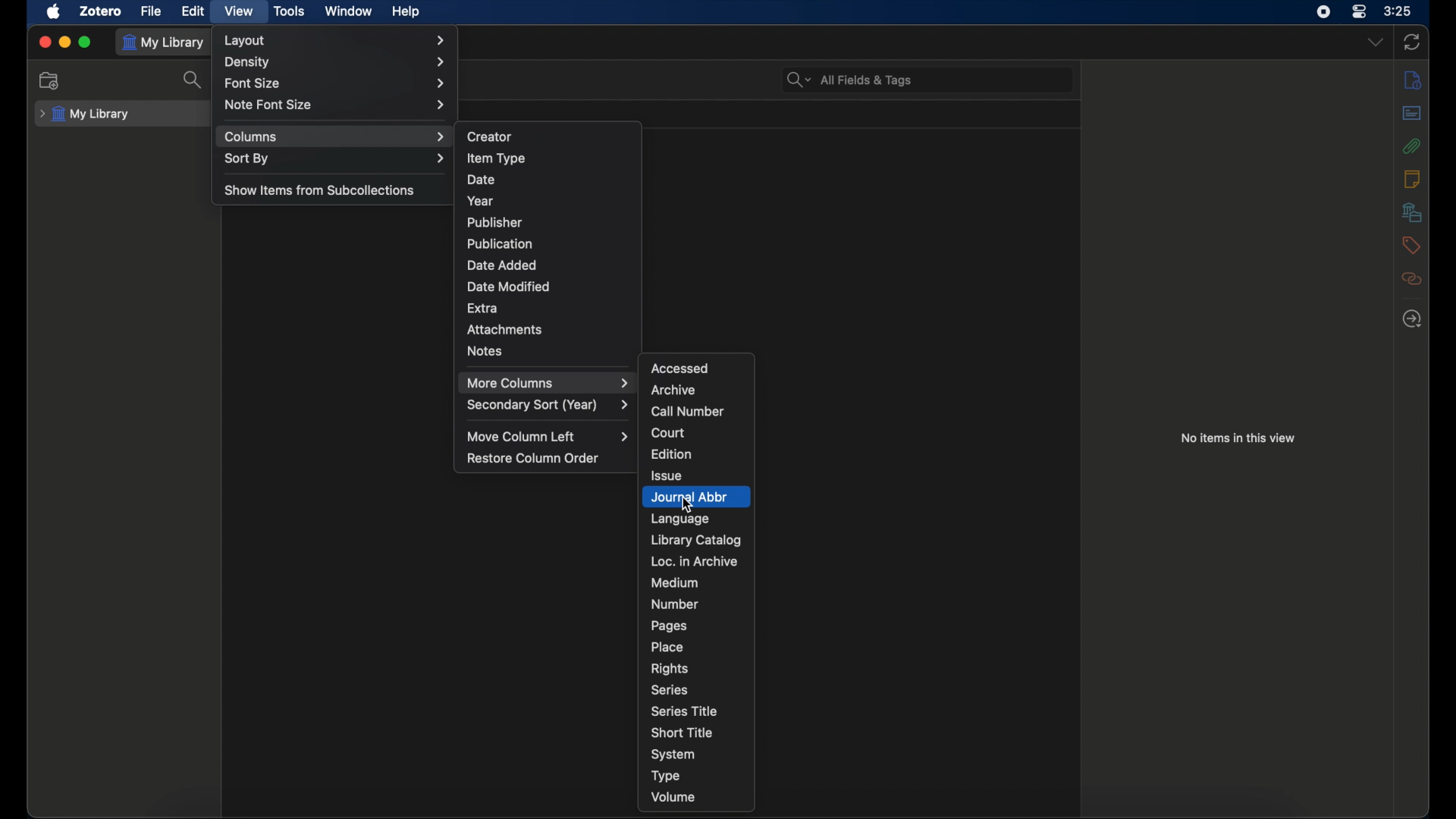 The image size is (1456, 819). I want to click on secondary sort, so click(549, 406).